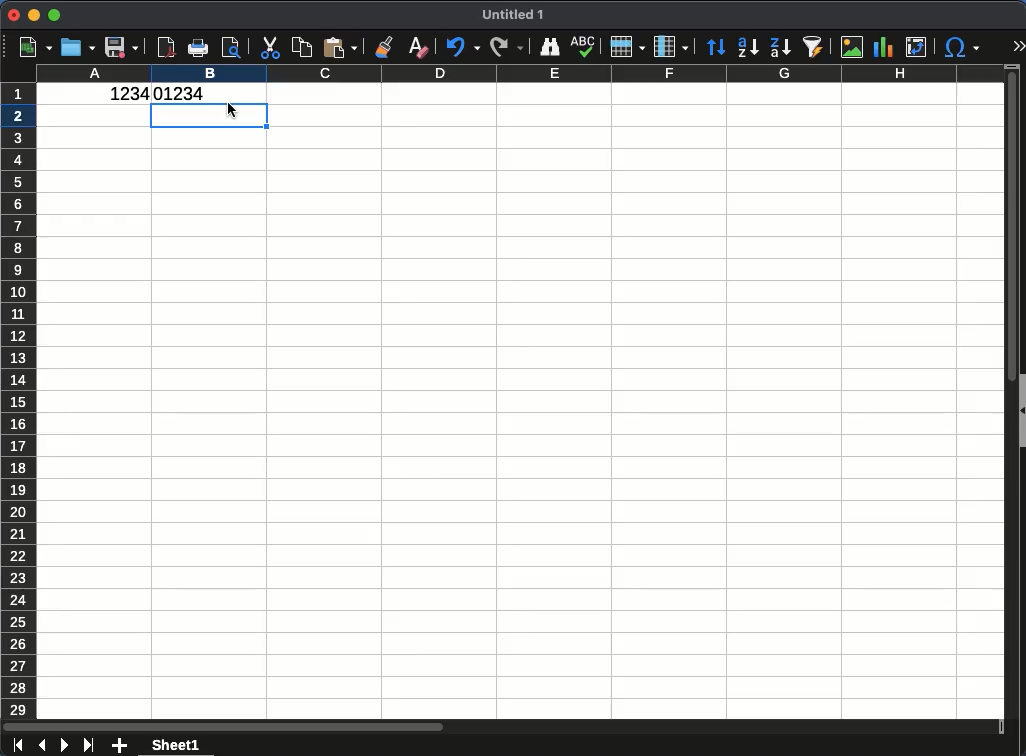 The width and height of the screenshot is (1026, 756). I want to click on image, so click(852, 45).